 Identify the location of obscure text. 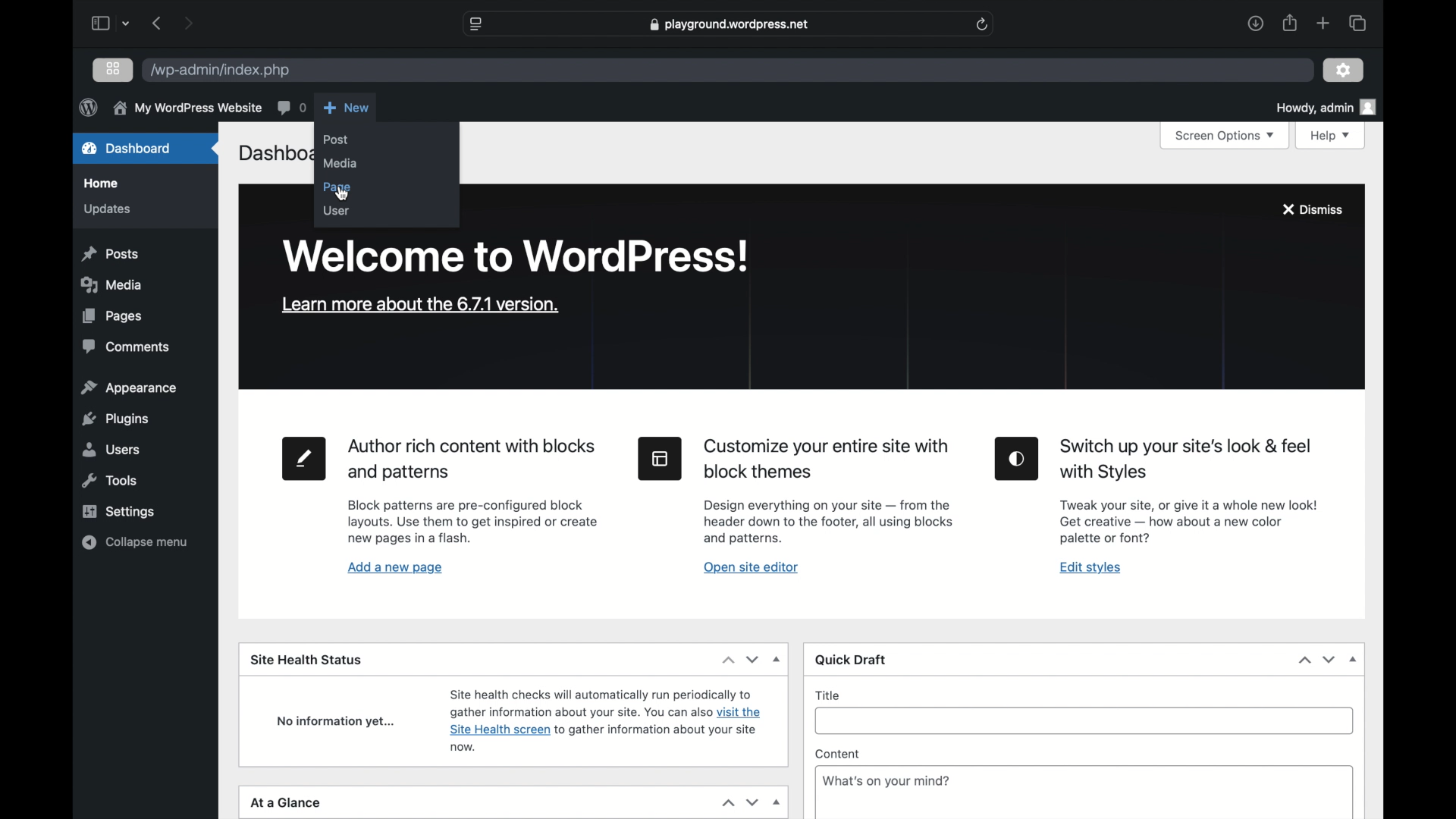
(273, 153).